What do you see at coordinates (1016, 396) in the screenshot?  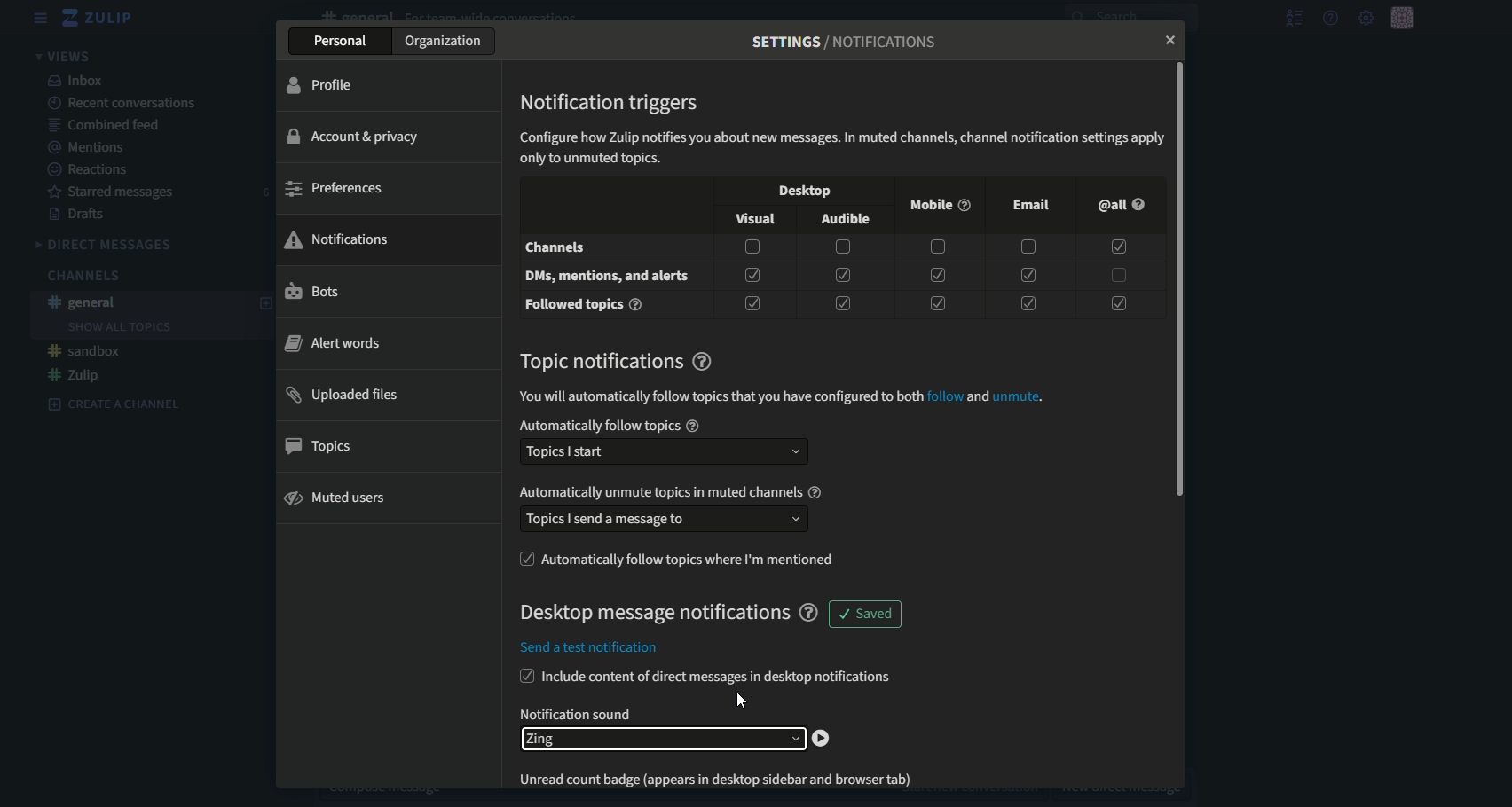 I see `unmute` at bounding box center [1016, 396].